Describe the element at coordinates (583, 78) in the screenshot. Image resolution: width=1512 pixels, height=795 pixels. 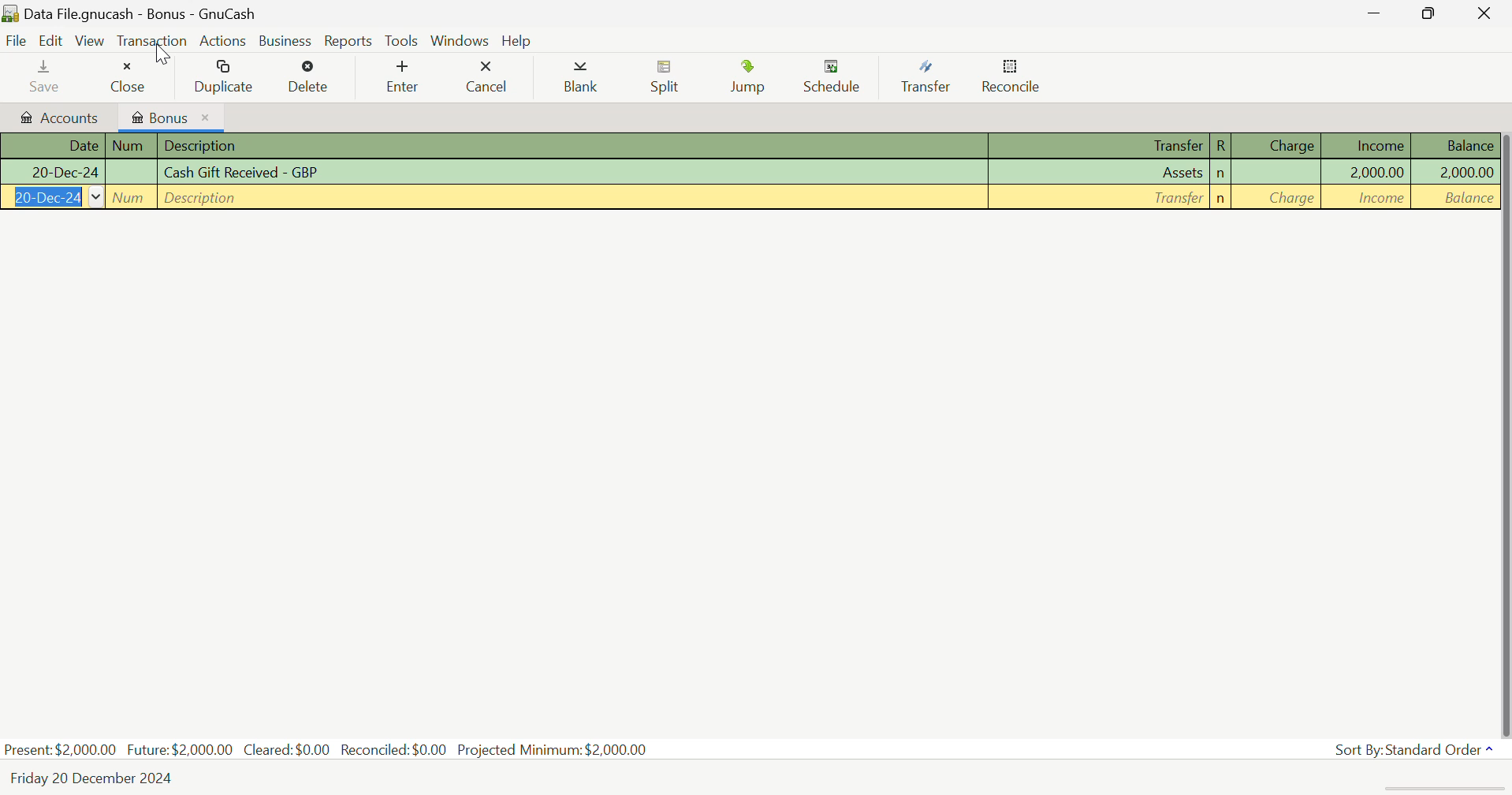
I see `Blank` at that location.